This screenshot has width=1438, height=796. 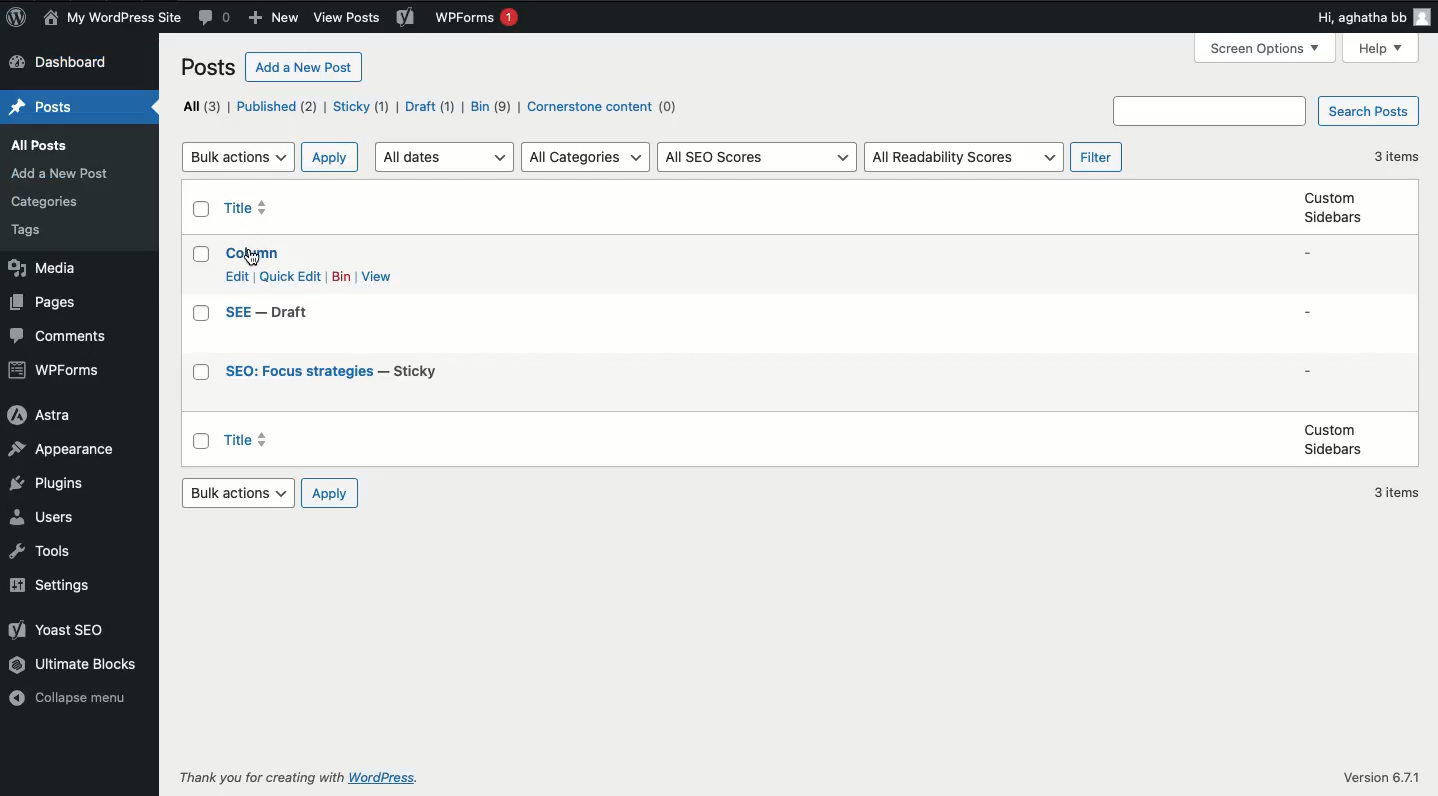 What do you see at coordinates (202, 254) in the screenshot?
I see `checkbox` at bounding box center [202, 254].